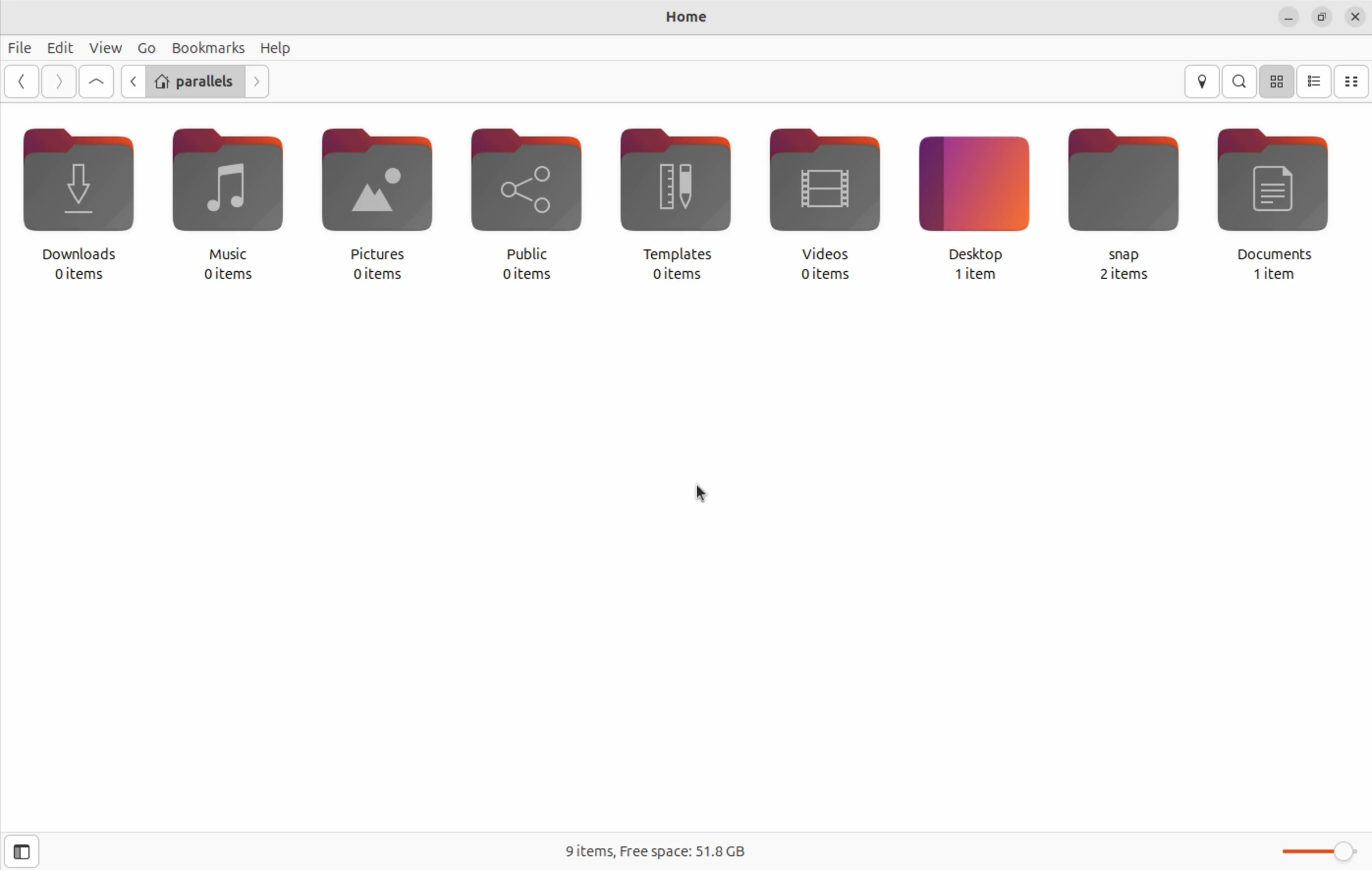 The image size is (1372, 870). What do you see at coordinates (194, 83) in the screenshot?
I see `parallels` at bounding box center [194, 83].